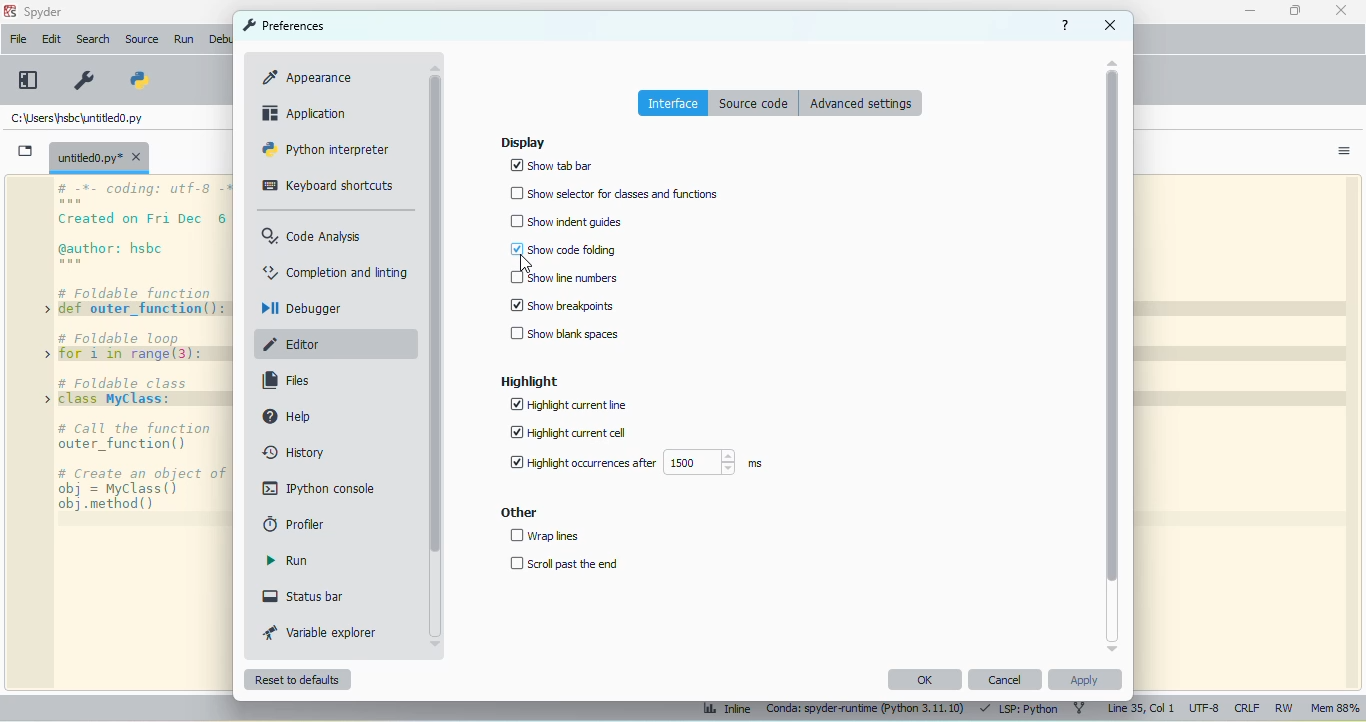 The image size is (1366, 722). I want to click on variable explorer, so click(322, 632).